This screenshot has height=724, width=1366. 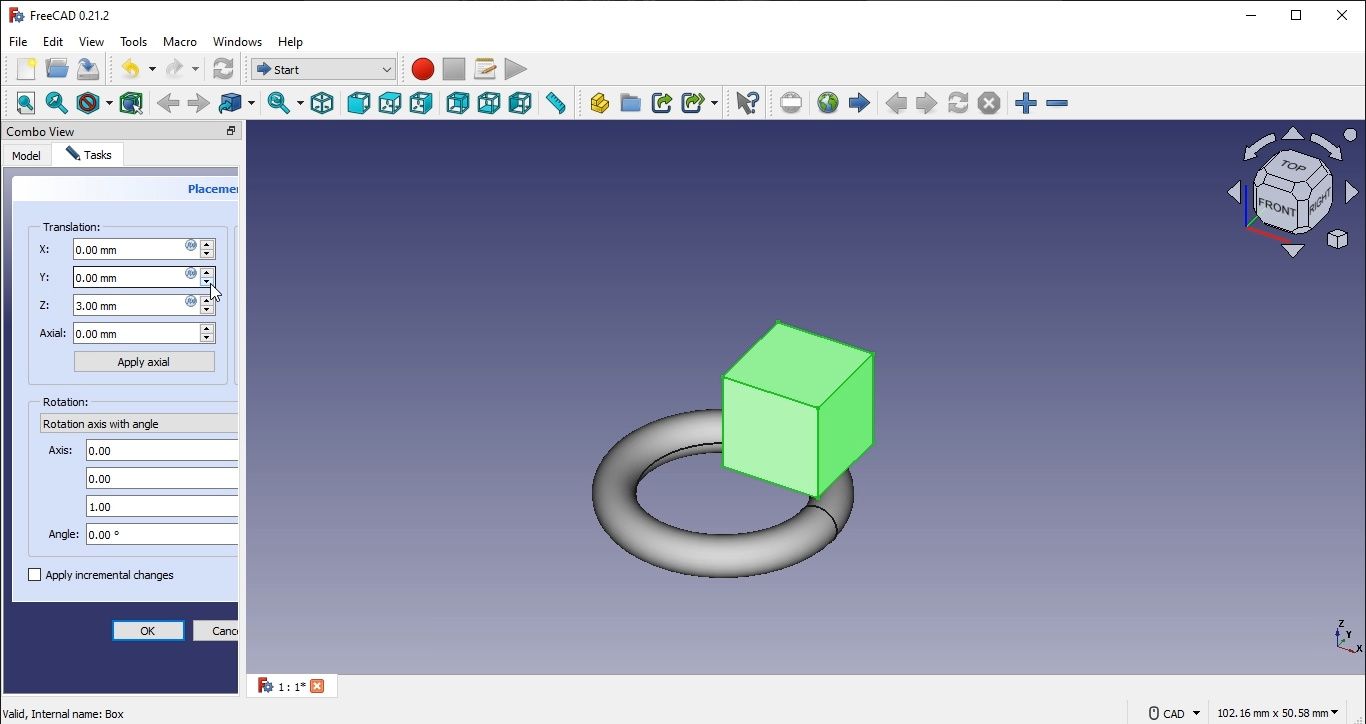 I want to click on restore down, so click(x=1298, y=15).